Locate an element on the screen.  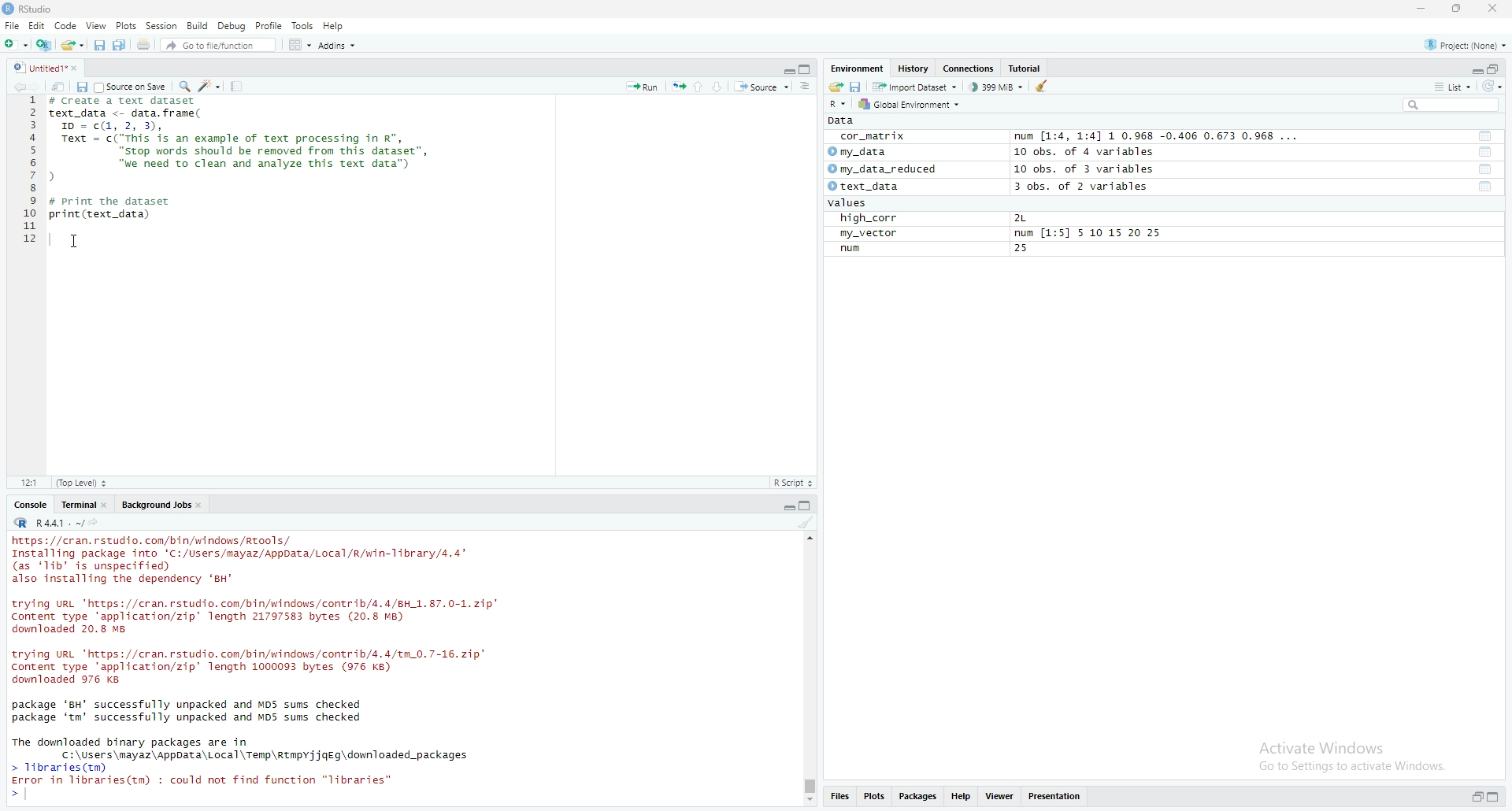
debug is located at coordinates (232, 26).